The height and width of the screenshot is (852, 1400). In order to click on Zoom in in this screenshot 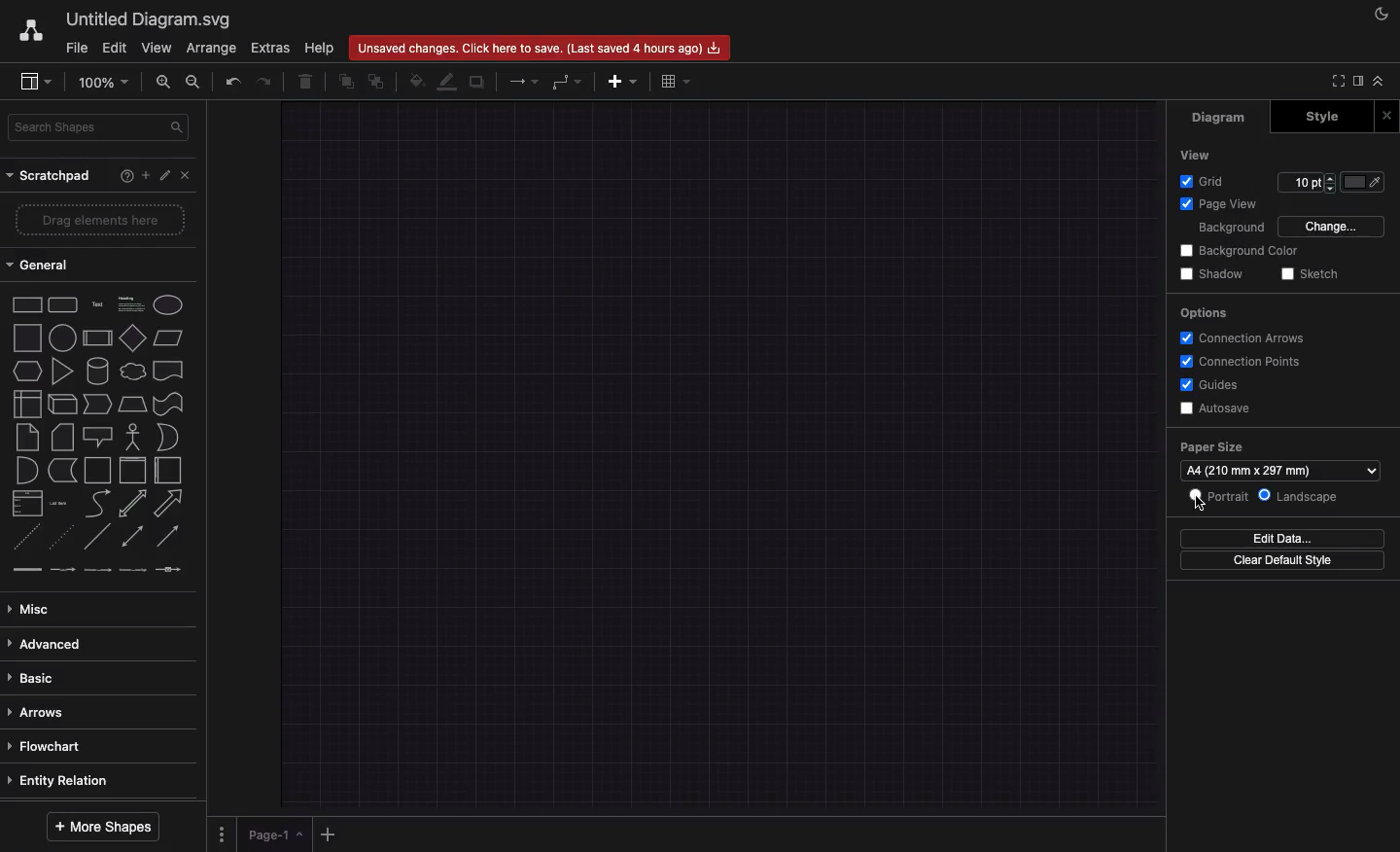, I will do `click(163, 85)`.